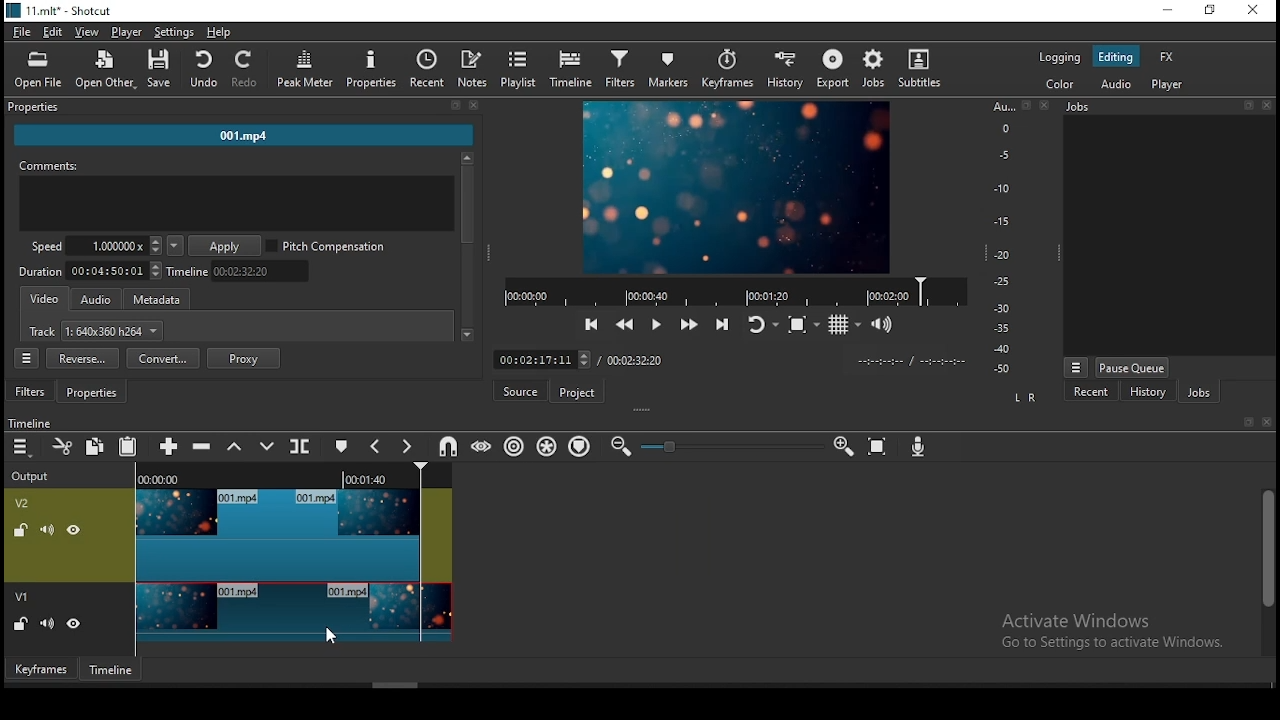  I want to click on create/edit marker, so click(339, 444).